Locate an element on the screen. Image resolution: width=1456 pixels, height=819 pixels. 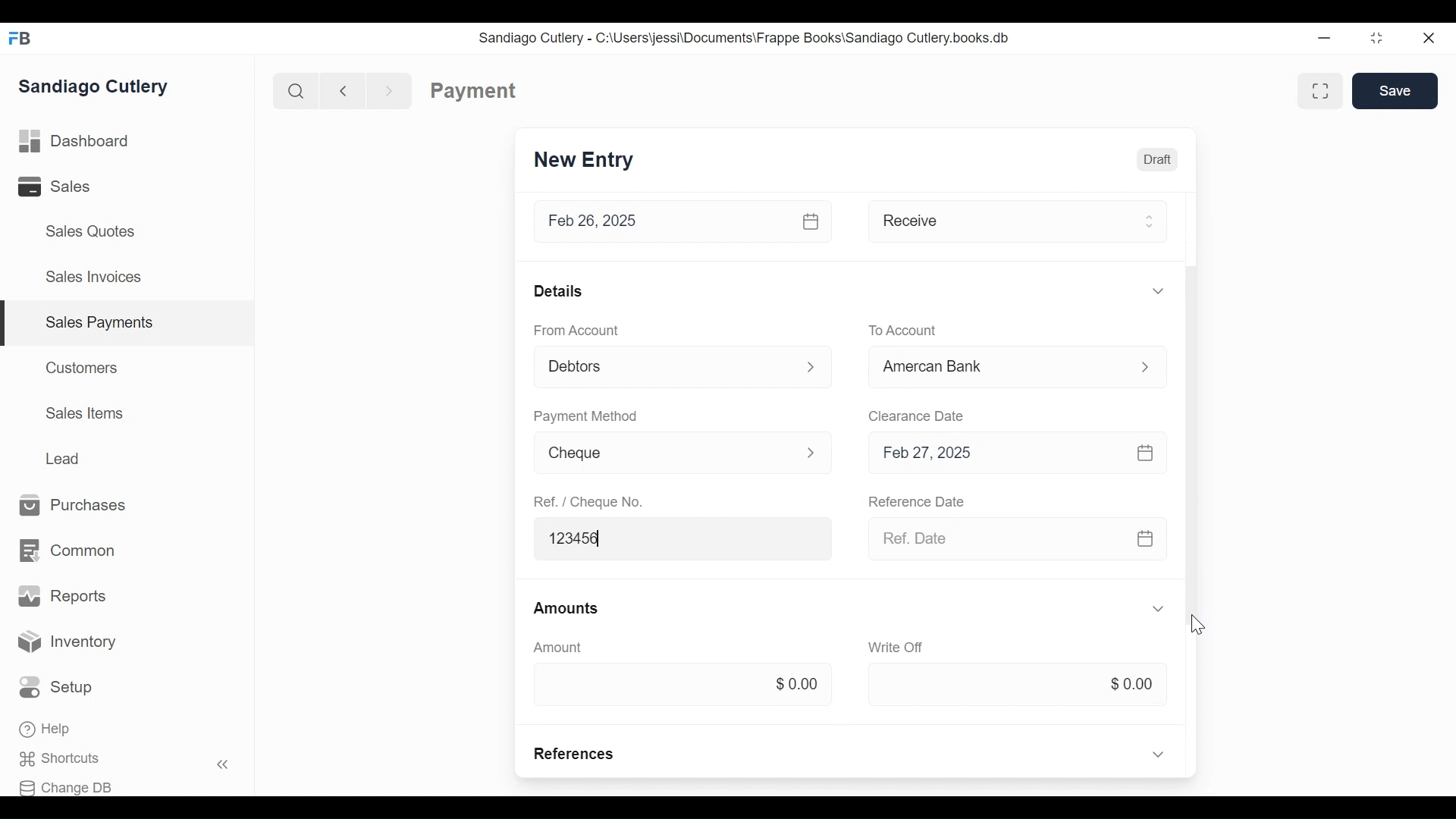
Expand is located at coordinates (1148, 221).